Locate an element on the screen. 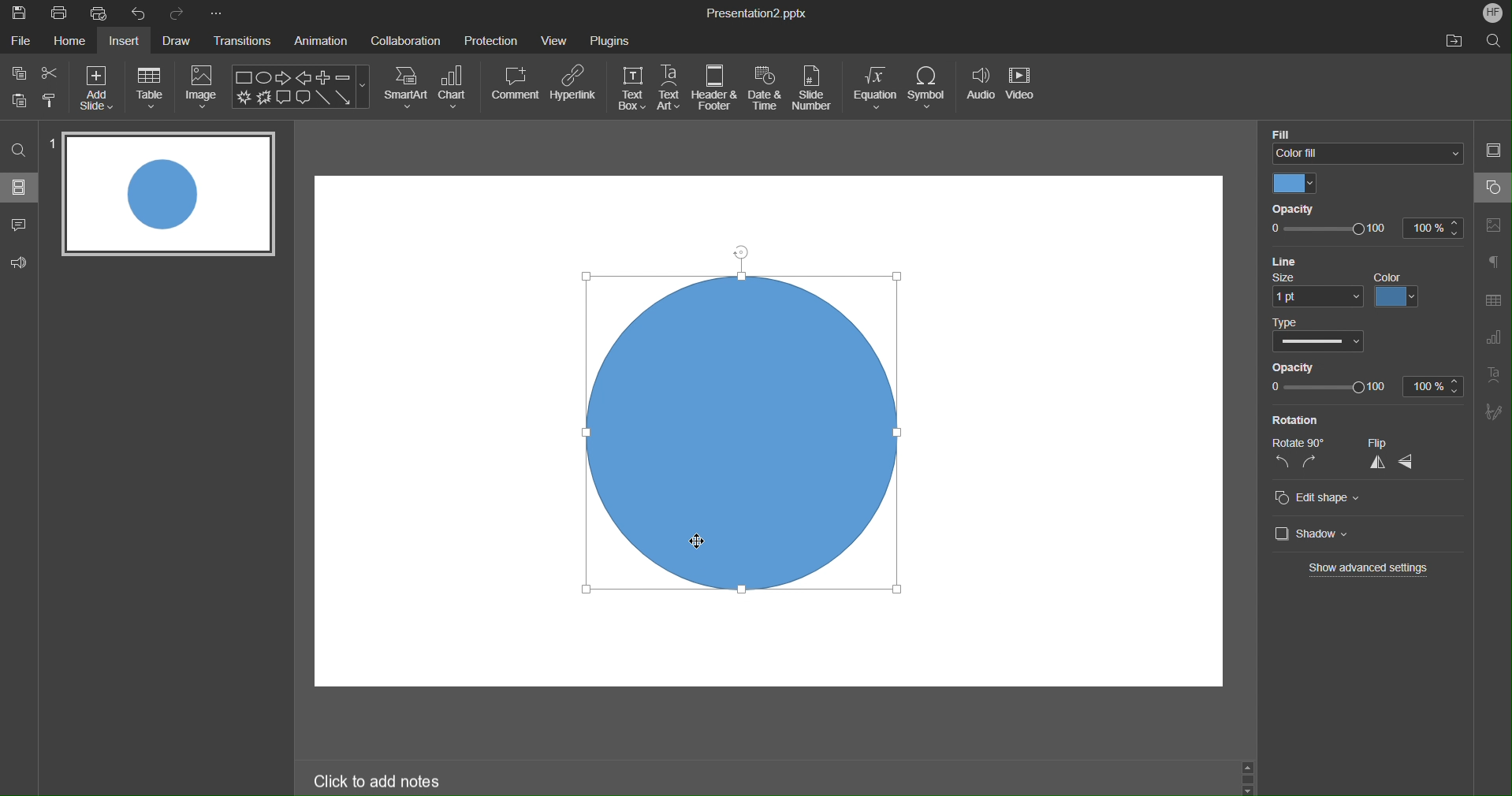 This screenshot has height=796, width=1512. Feedback & Support is located at coordinates (20, 261).